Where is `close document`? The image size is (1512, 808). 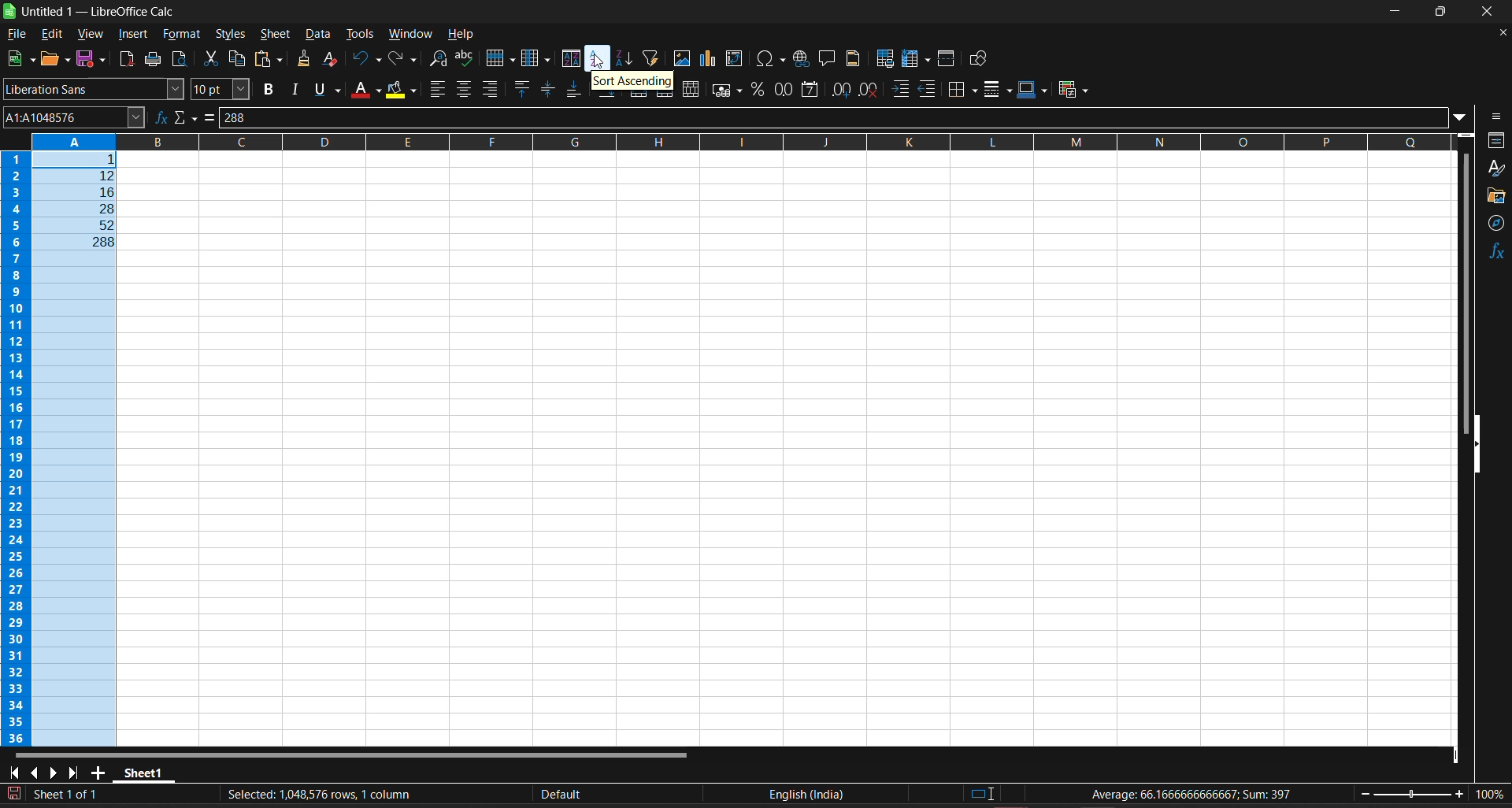
close document is located at coordinates (1498, 32).